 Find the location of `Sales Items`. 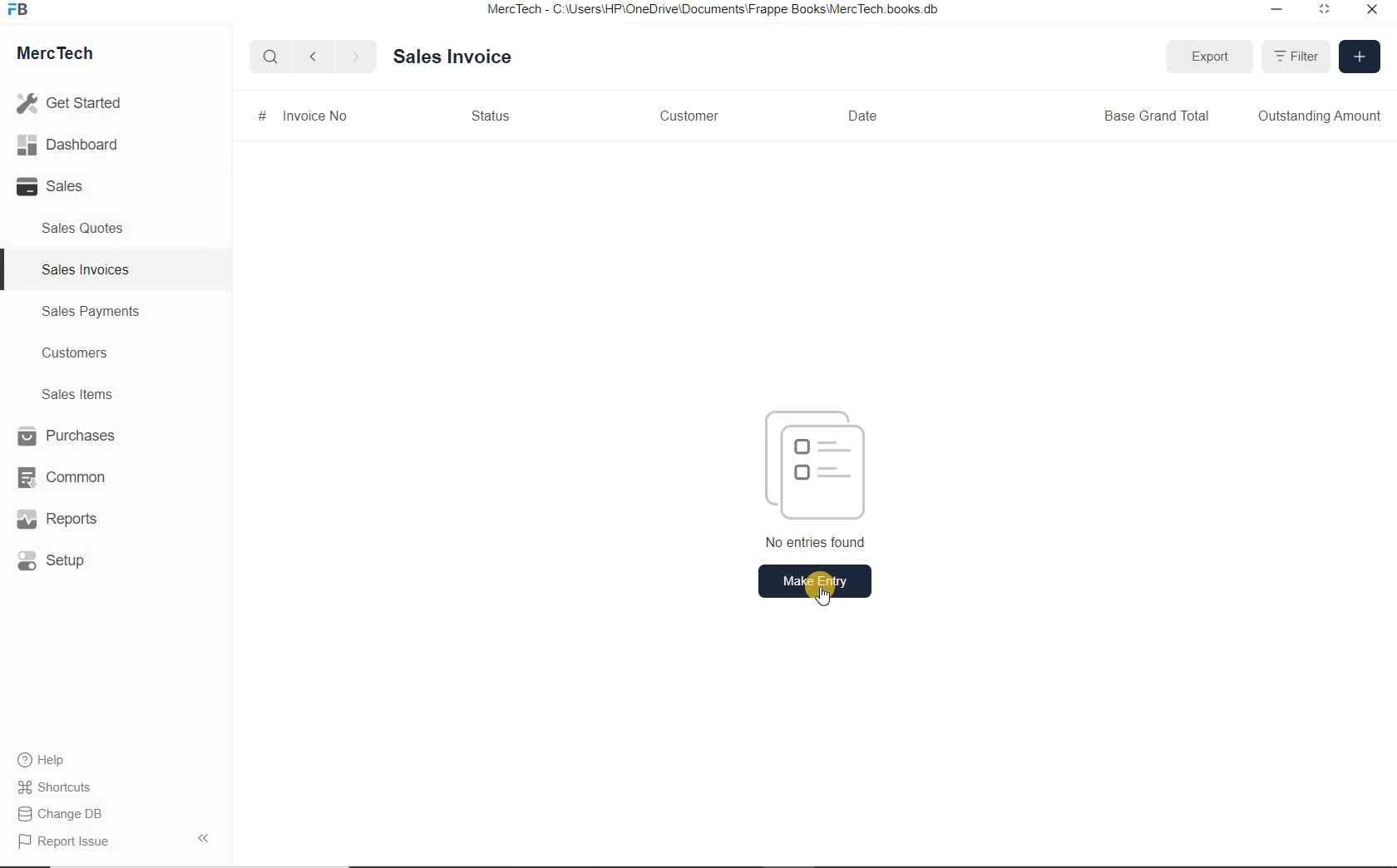

Sales Items is located at coordinates (88, 394).